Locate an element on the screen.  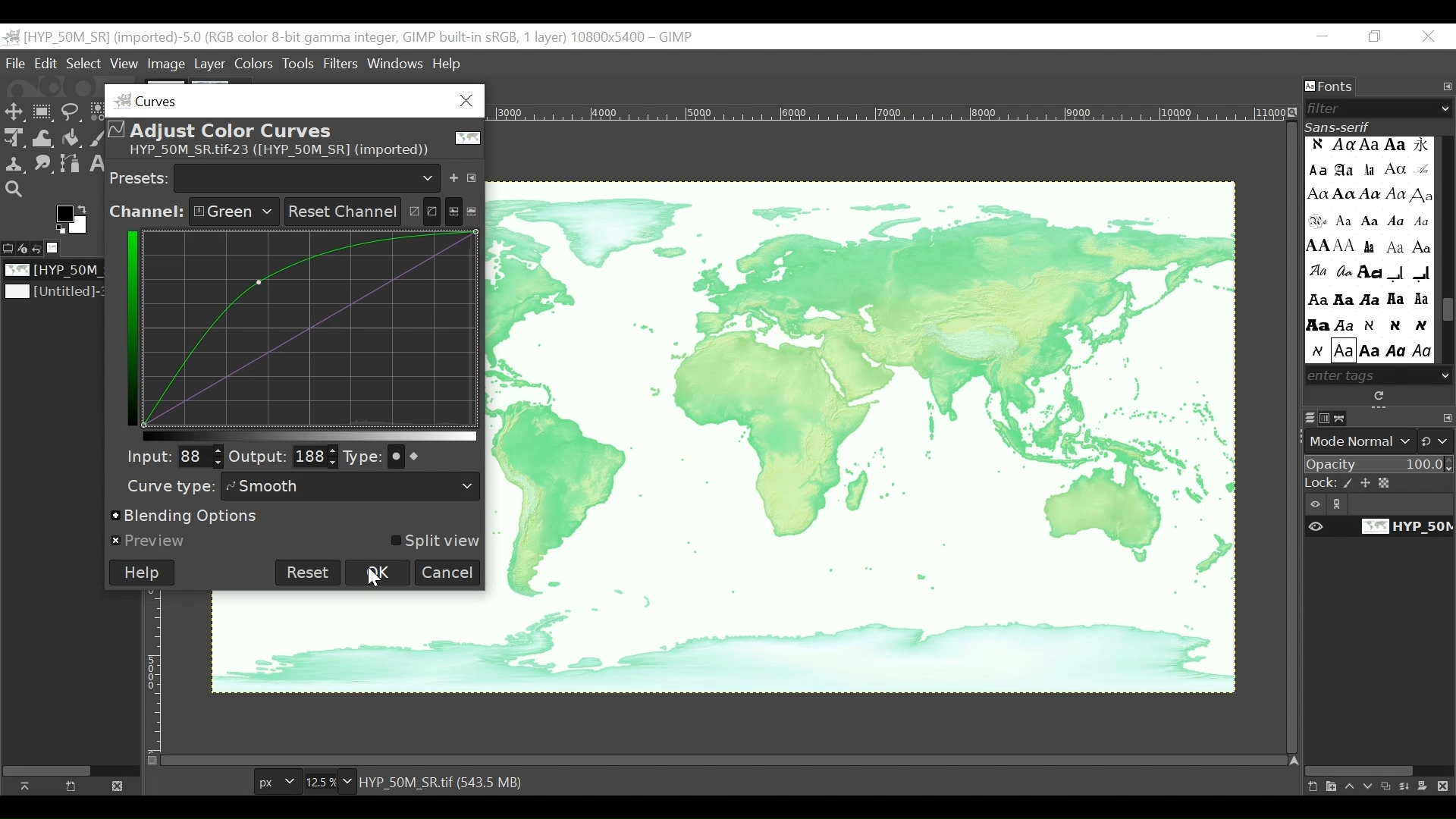
Smudge Tool is located at coordinates (42, 165).